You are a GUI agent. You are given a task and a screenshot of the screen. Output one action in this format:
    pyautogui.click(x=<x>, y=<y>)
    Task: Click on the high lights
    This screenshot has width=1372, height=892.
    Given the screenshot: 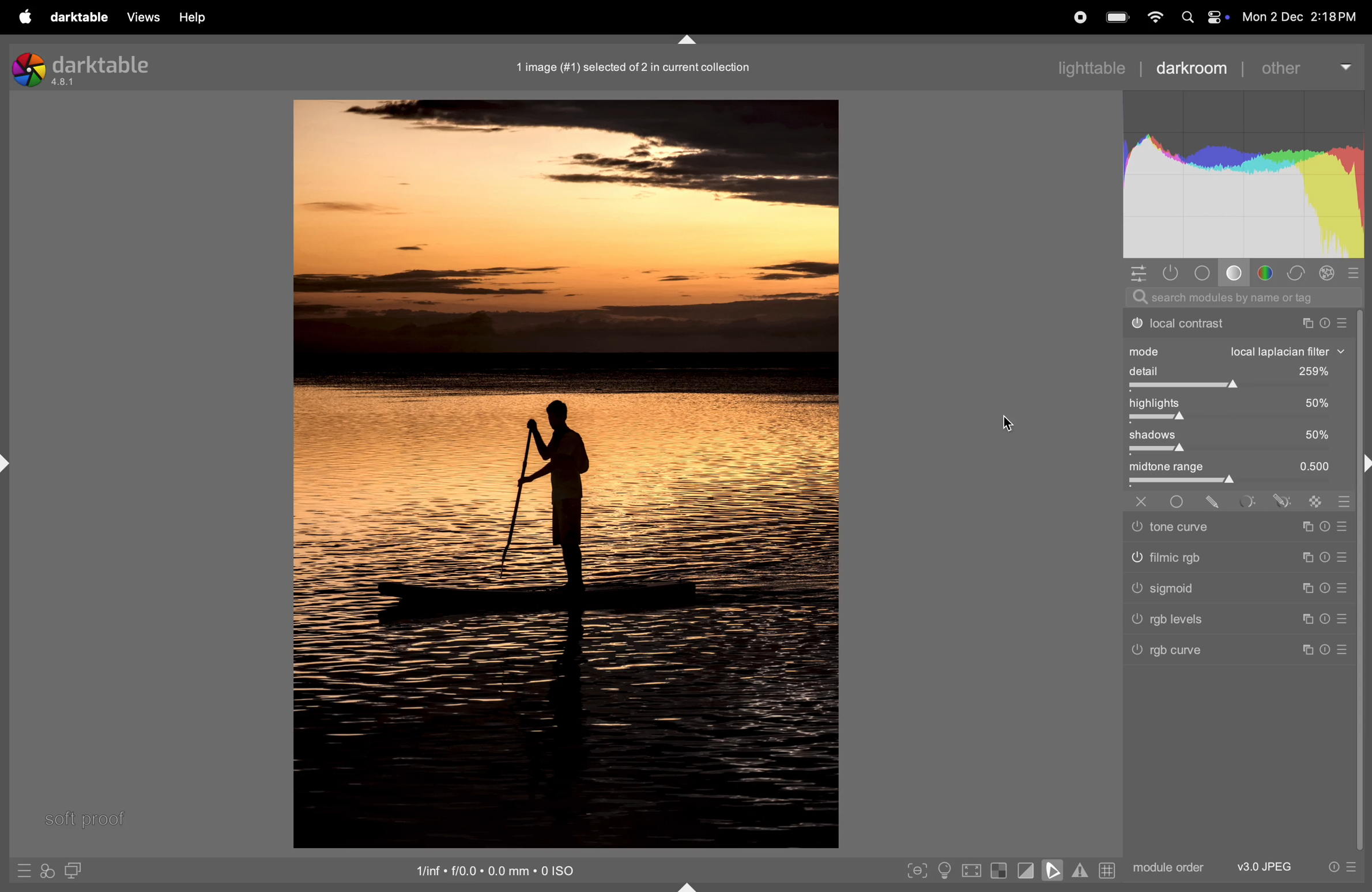 What is the action you would take?
    pyautogui.click(x=1240, y=405)
    